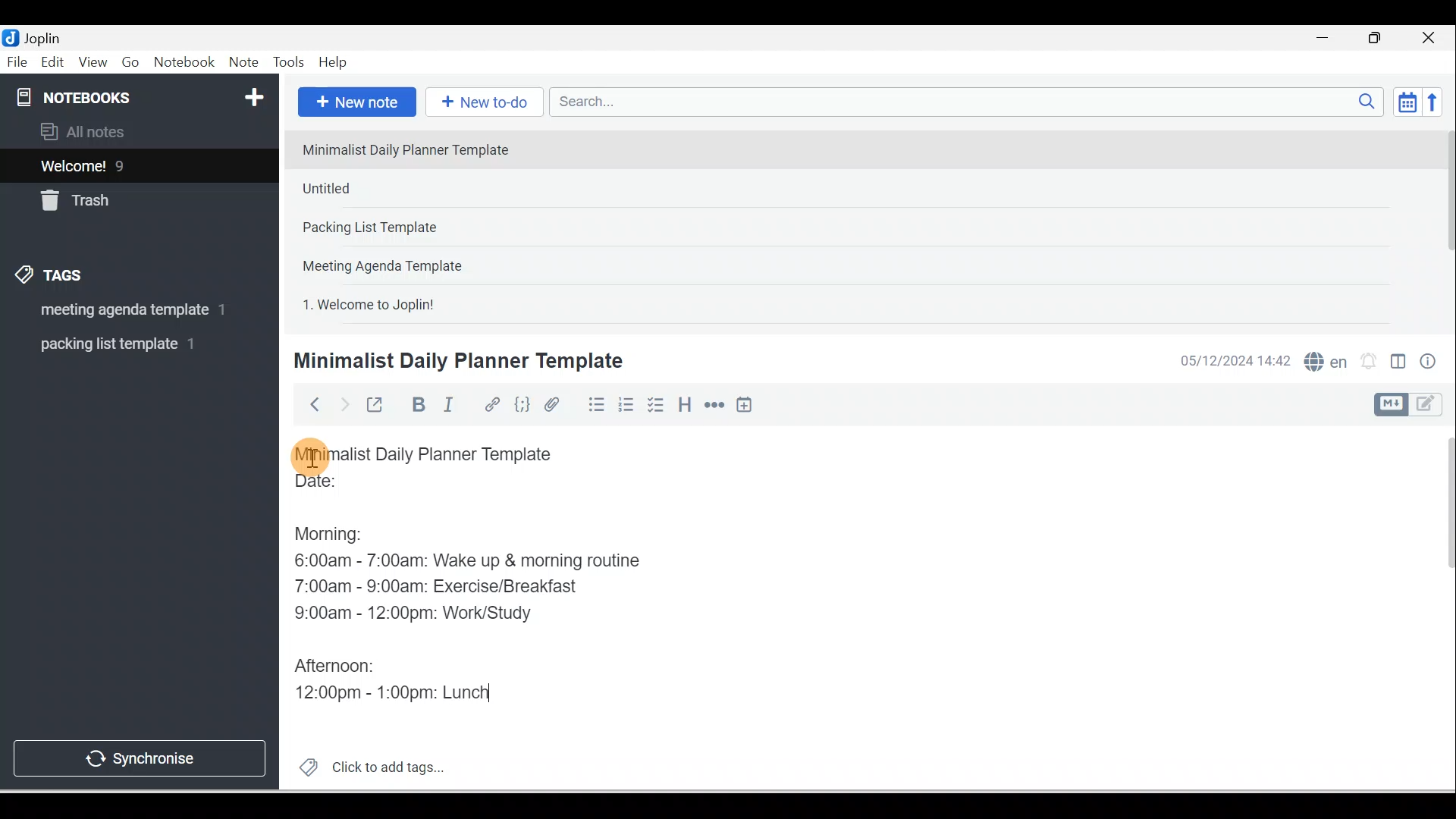  What do you see at coordinates (1407, 101) in the screenshot?
I see `Toggle sort order` at bounding box center [1407, 101].